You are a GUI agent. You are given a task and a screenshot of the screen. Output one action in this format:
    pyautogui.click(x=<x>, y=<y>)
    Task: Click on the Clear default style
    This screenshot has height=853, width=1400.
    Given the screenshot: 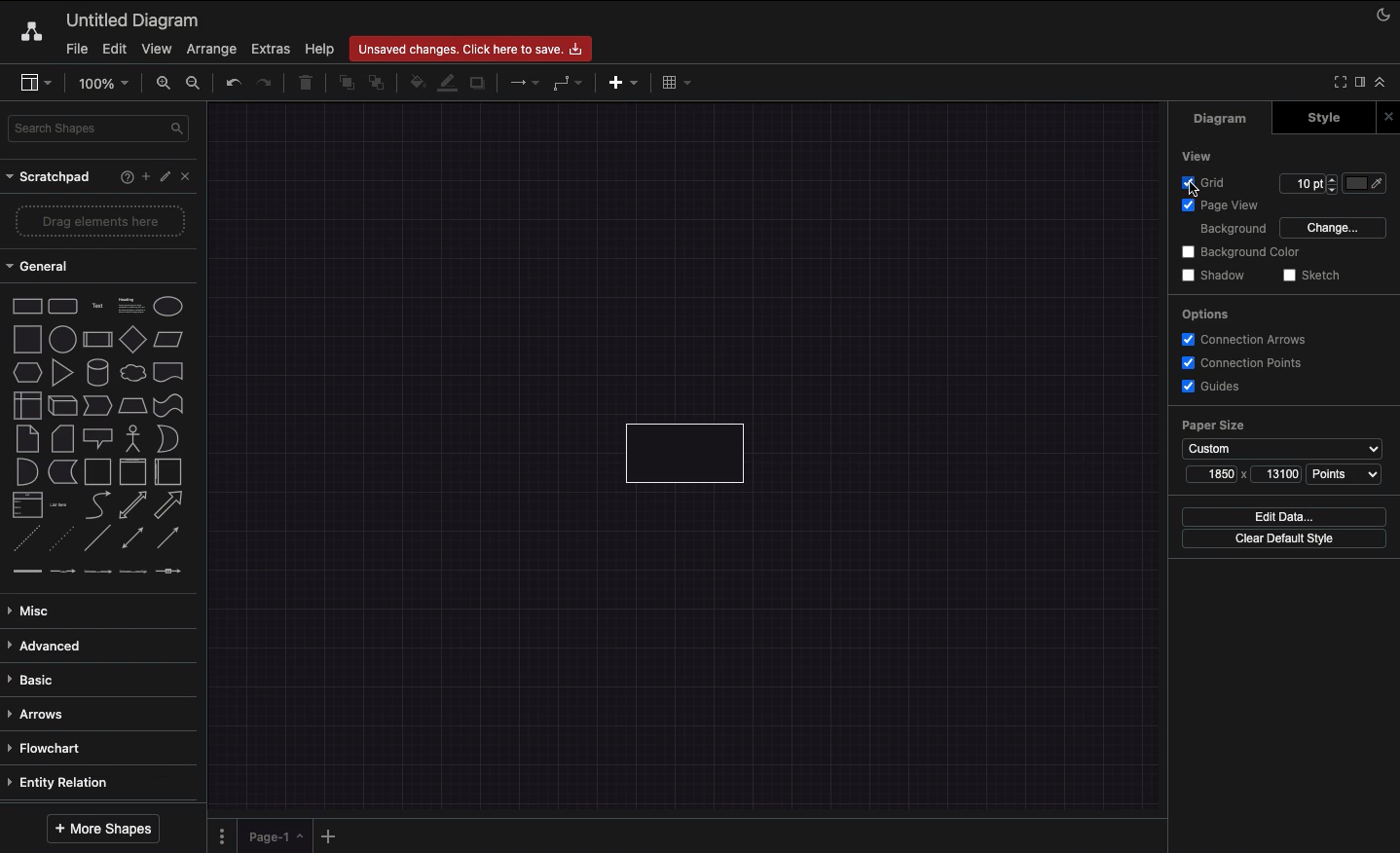 What is the action you would take?
    pyautogui.click(x=1283, y=538)
    